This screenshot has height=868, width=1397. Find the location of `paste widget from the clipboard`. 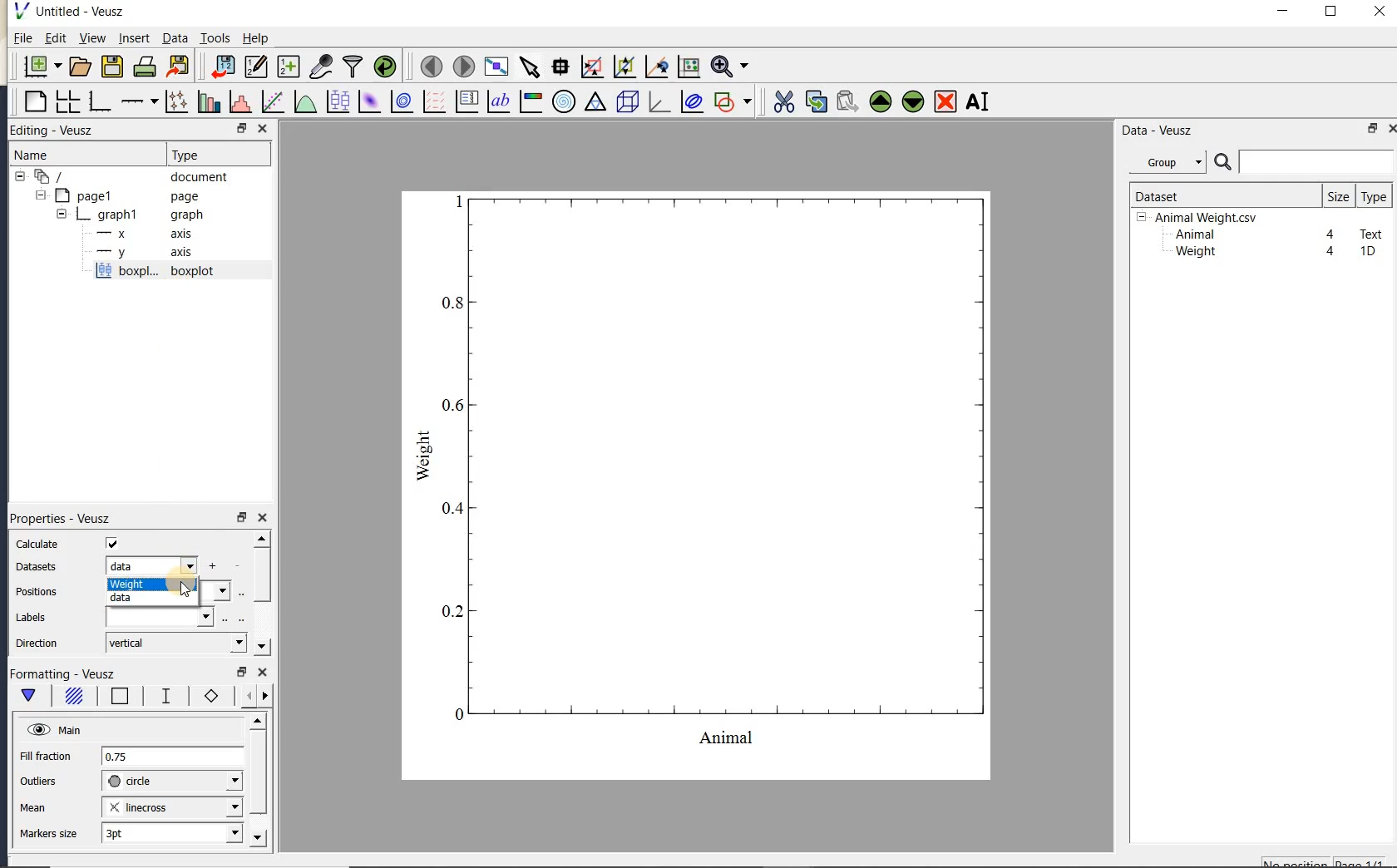

paste widget from the clipboard is located at coordinates (847, 103).